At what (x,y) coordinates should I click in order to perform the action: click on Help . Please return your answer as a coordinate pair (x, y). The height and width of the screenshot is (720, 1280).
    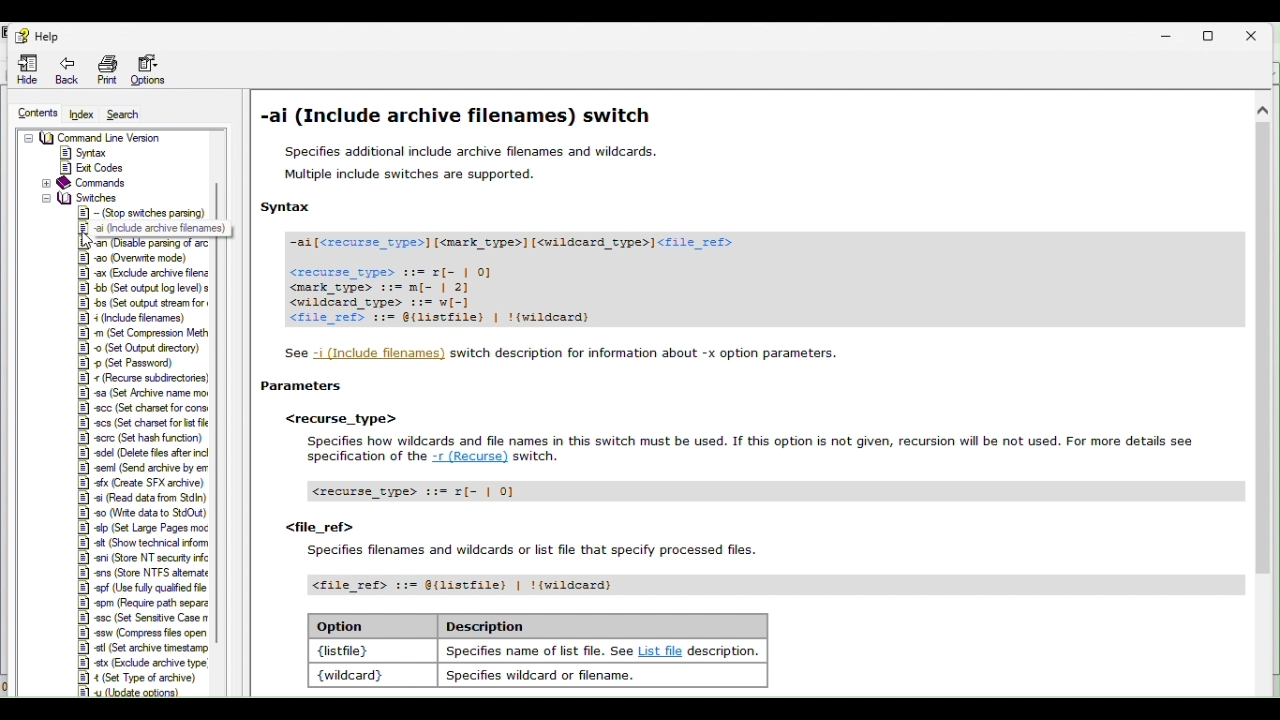
    Looking at the image, I should click on (34, 34).